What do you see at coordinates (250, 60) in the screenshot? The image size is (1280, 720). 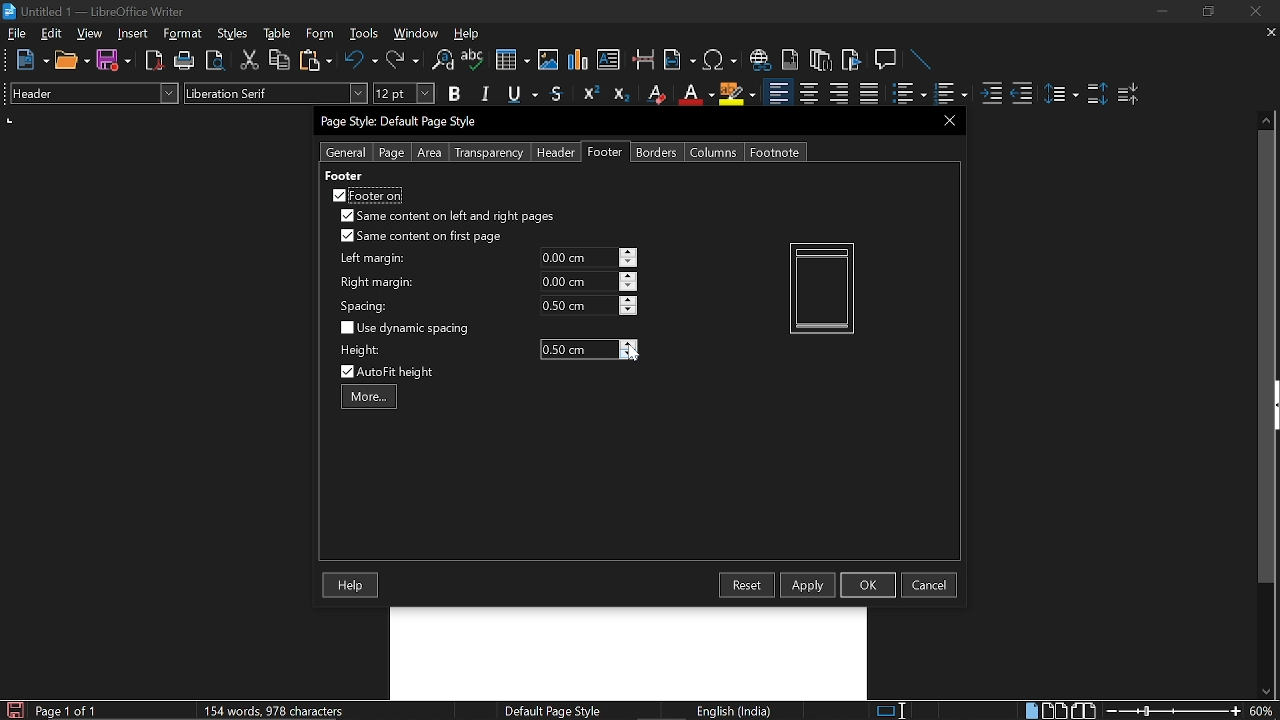 I see `Cut` at bounding box center [250, 60].